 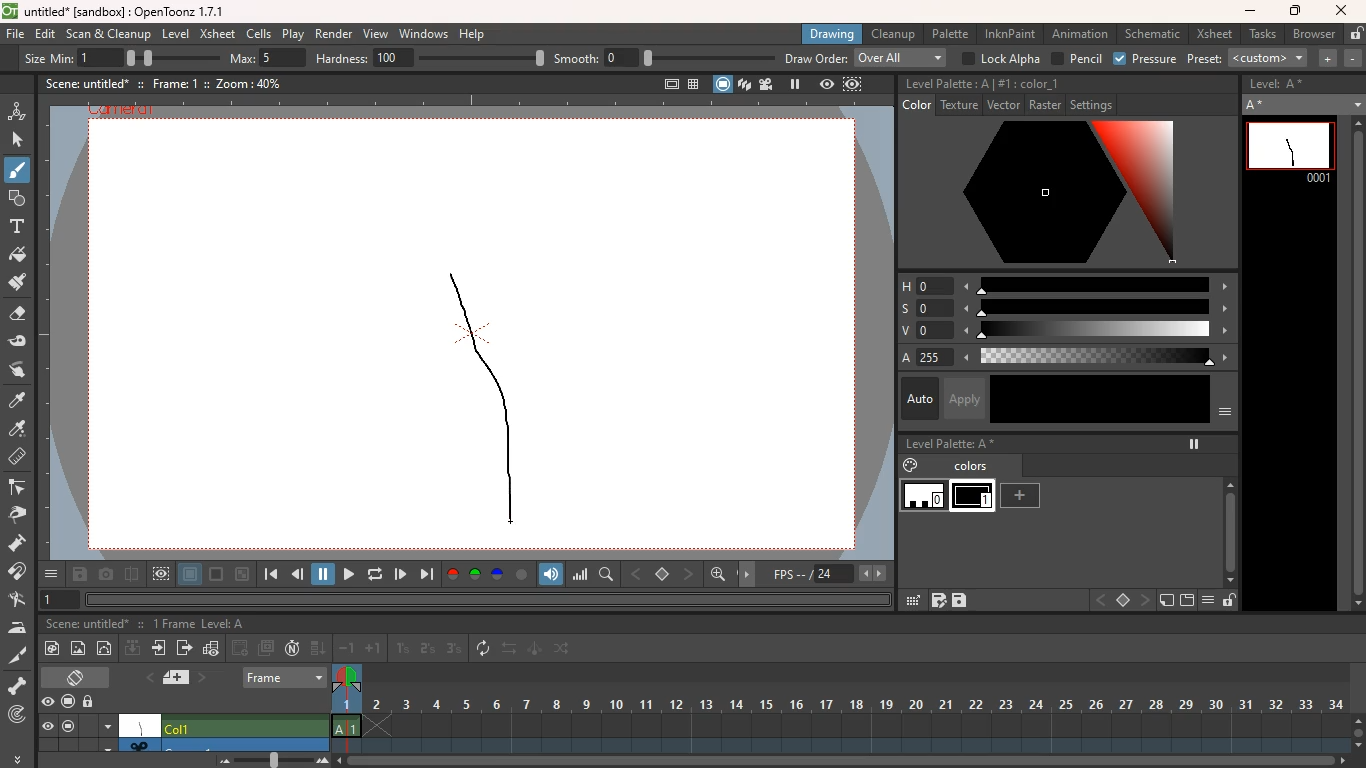 What do you see at coordinates (1097, 332) in the screenshot?
I see `scale` at bounding box center [1097, 332].